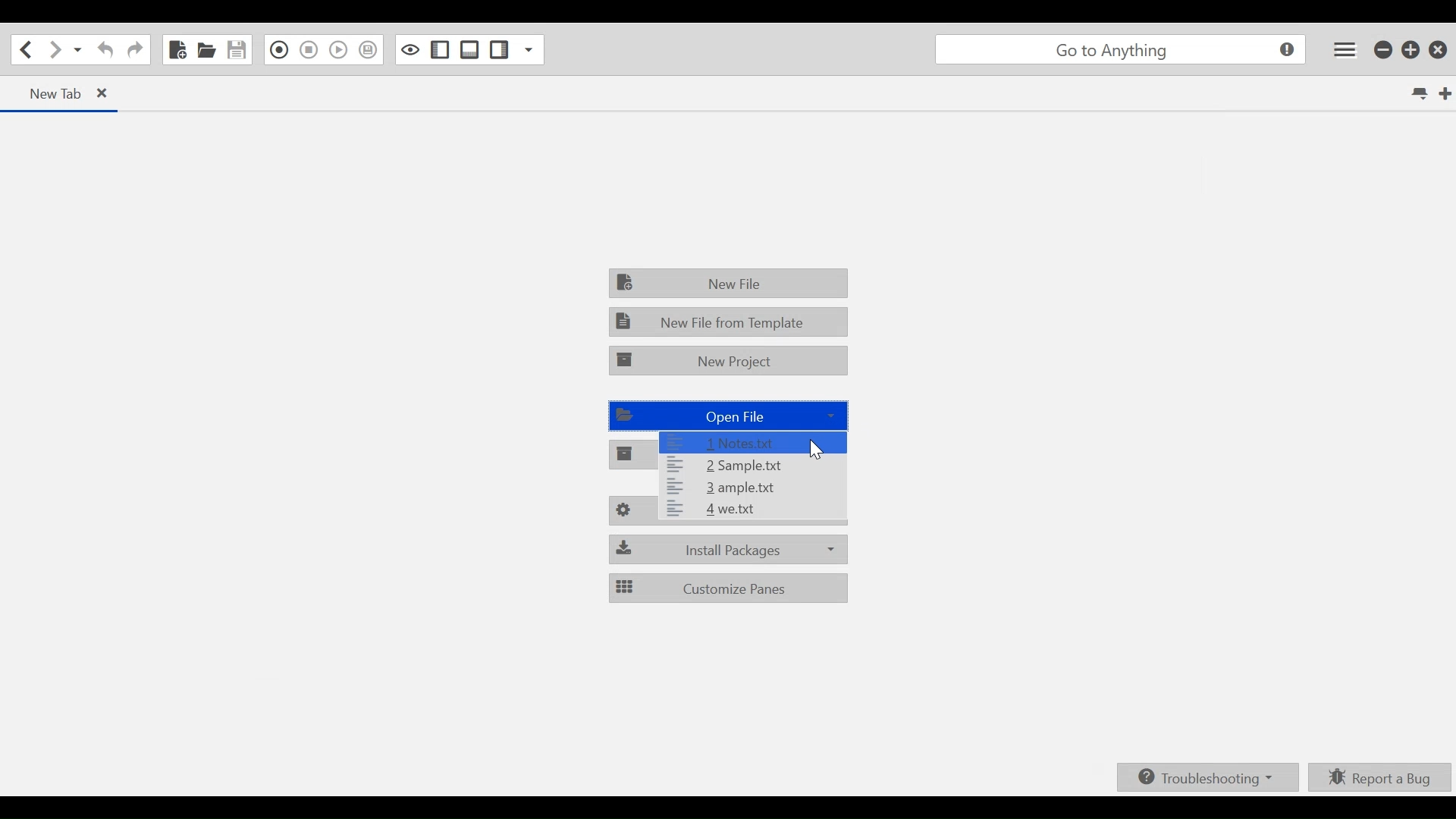 The height and width of the screenshot is (819, 1456). Describe the element at coordinates (729, 511) in the screenshot. I see `Preferences` at that location.